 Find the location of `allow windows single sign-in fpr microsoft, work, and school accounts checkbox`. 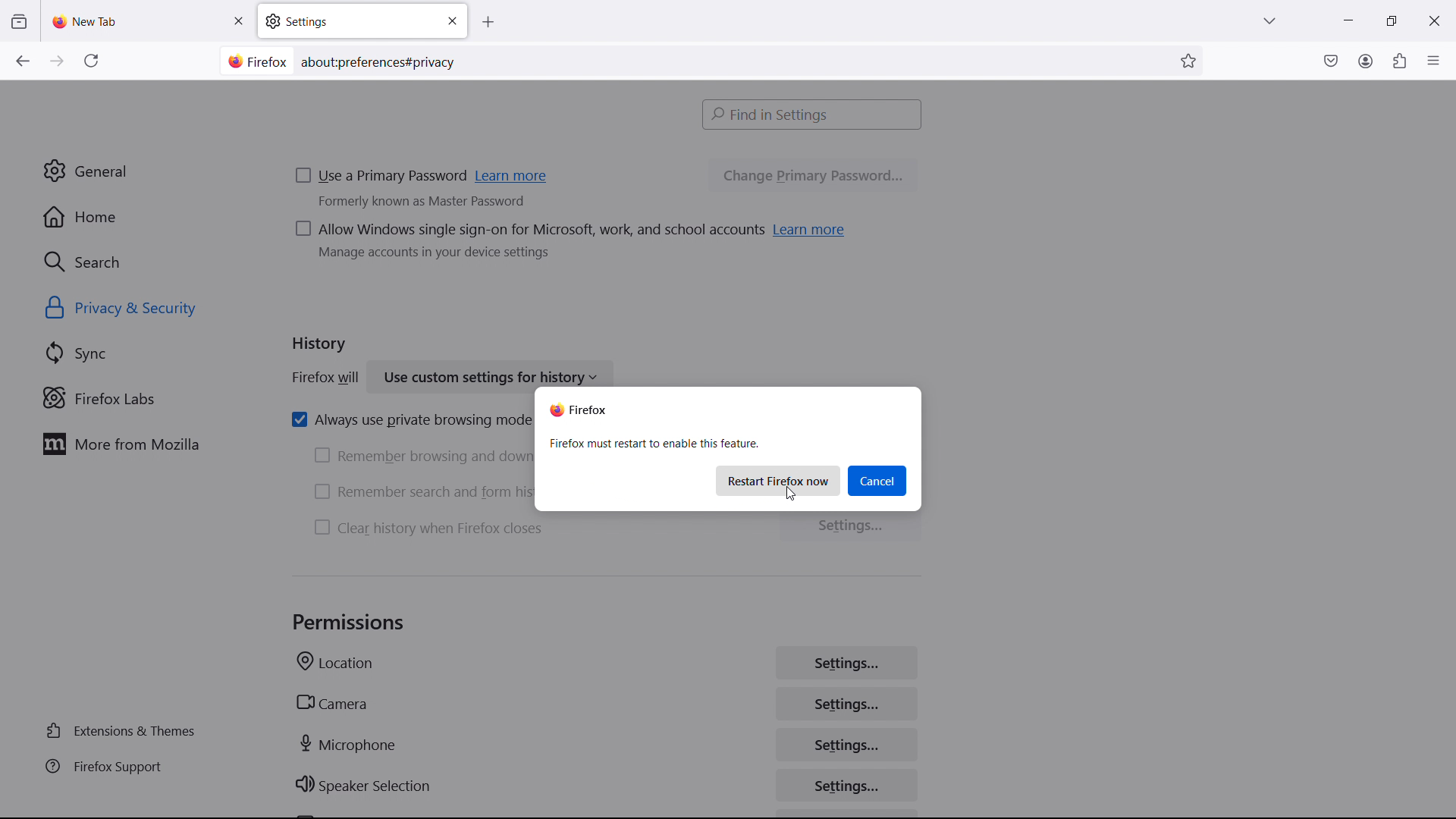

allow windows single sign-in fpr microsoft, work, and school accounts checkbox is located at coordinates (527, 231).